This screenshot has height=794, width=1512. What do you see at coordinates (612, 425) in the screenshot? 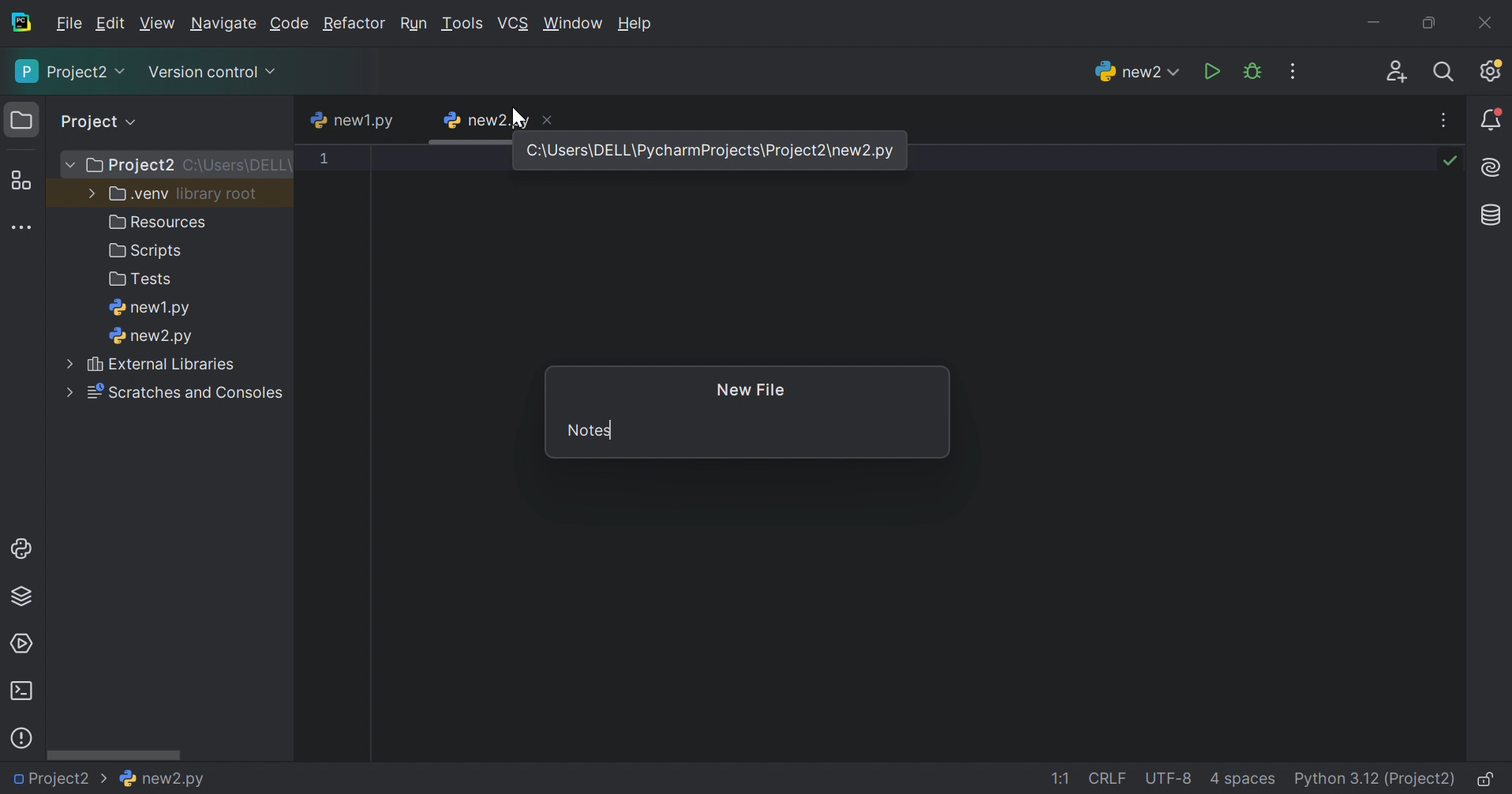
I see `typing cursor` at bounding box center [612, 425].